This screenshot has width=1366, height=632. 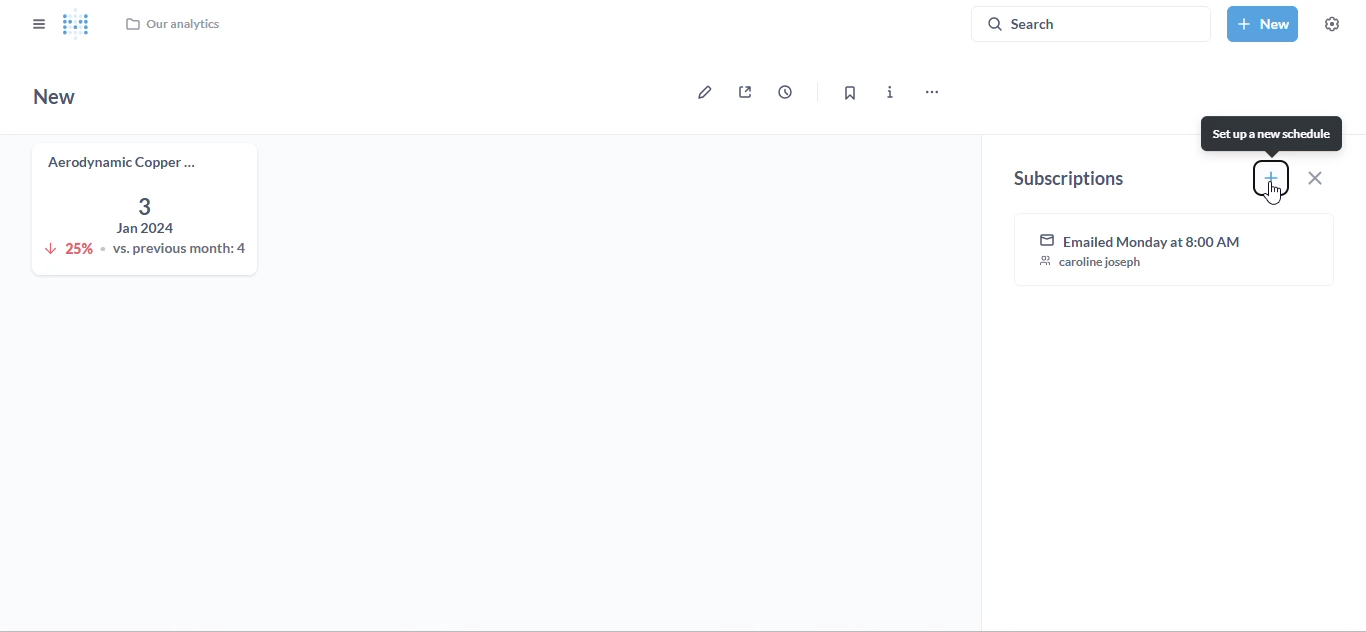 I want to click on set up a new schedule, so click(x=1270, y=177).